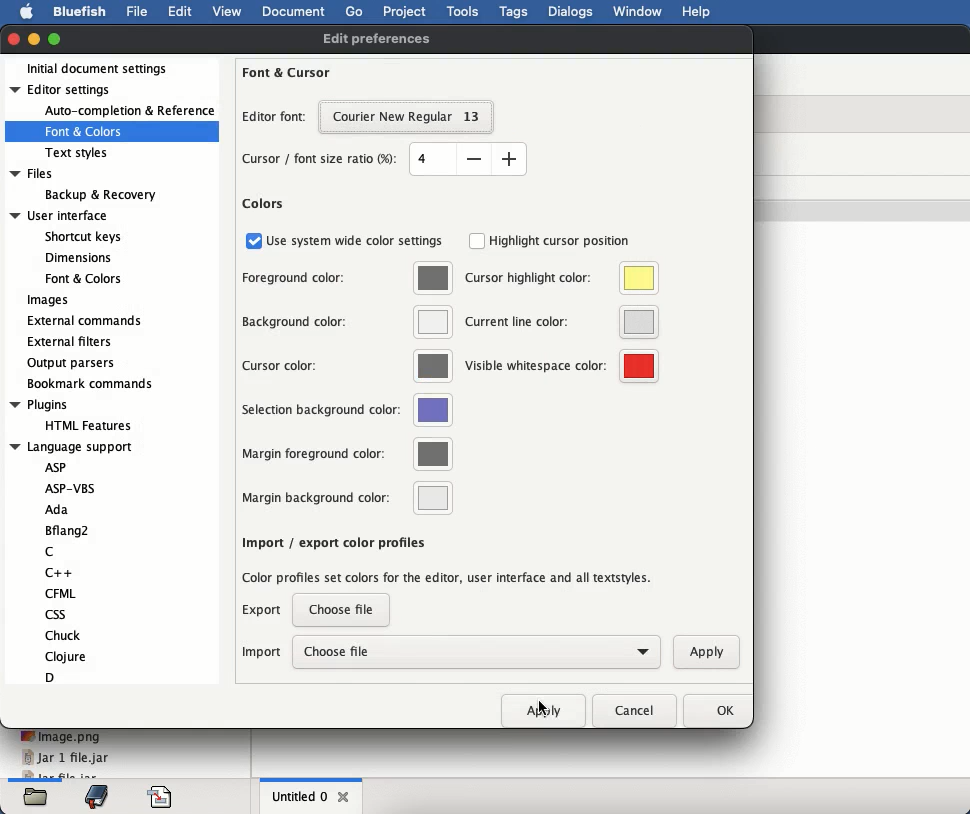  I want to click on code, so click(162, 797).